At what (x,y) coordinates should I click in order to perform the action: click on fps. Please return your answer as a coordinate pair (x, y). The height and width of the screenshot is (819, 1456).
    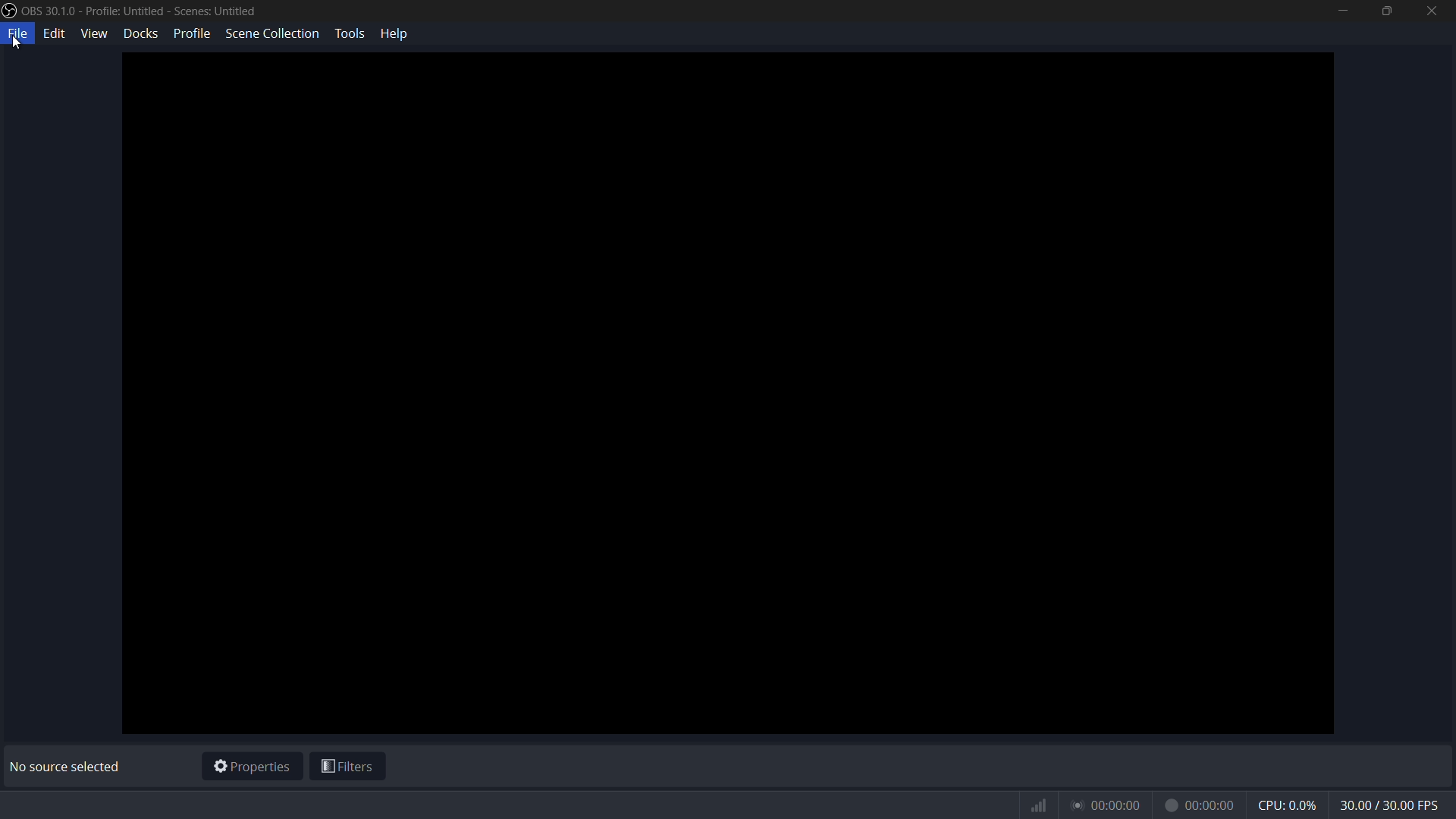
    Looking at the image, I should click on (1391, 806).